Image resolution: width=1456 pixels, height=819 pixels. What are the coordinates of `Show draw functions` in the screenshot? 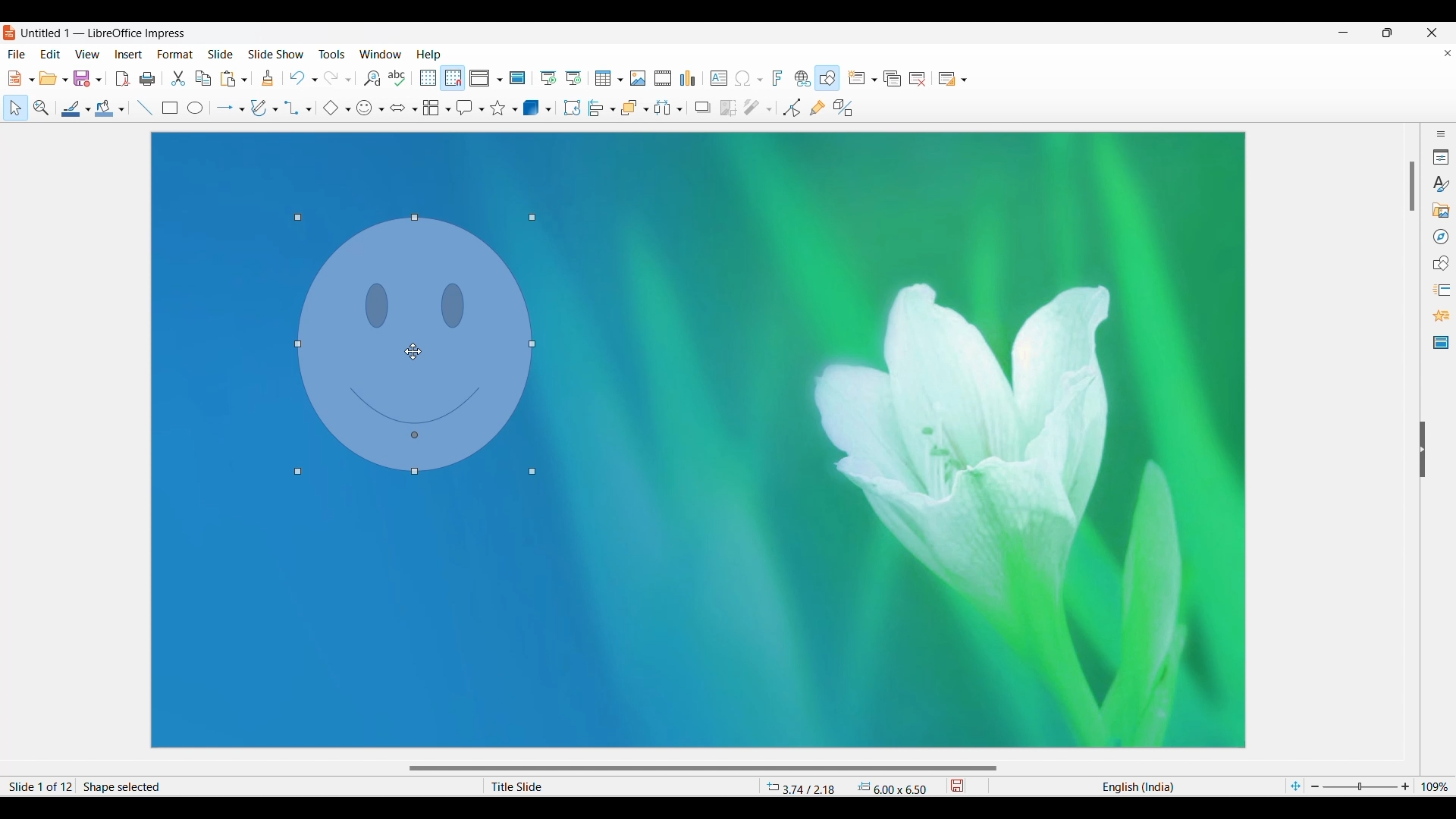 It's located at (827, 78).